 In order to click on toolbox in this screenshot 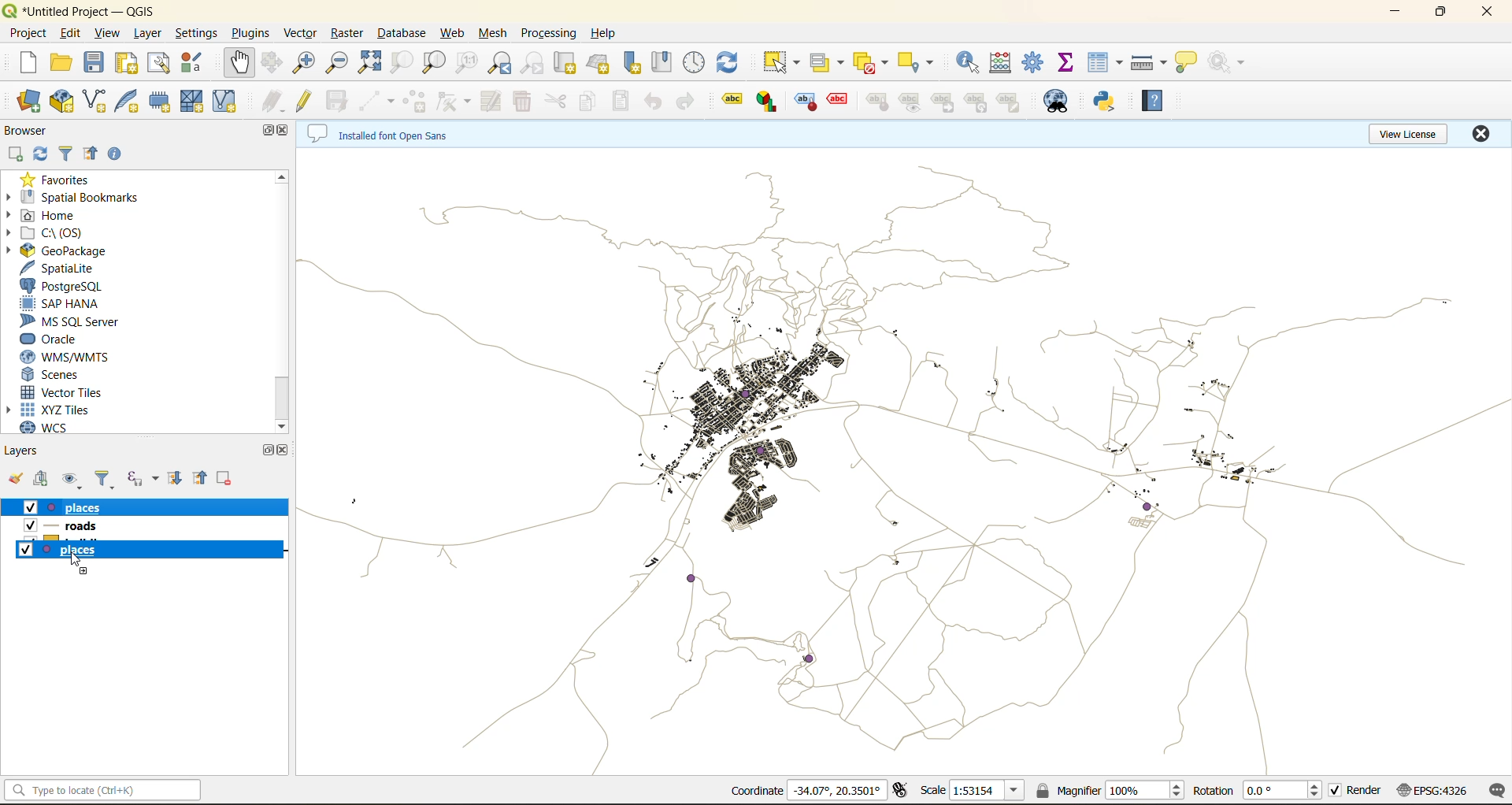, I will do `click(1036, 64)`.